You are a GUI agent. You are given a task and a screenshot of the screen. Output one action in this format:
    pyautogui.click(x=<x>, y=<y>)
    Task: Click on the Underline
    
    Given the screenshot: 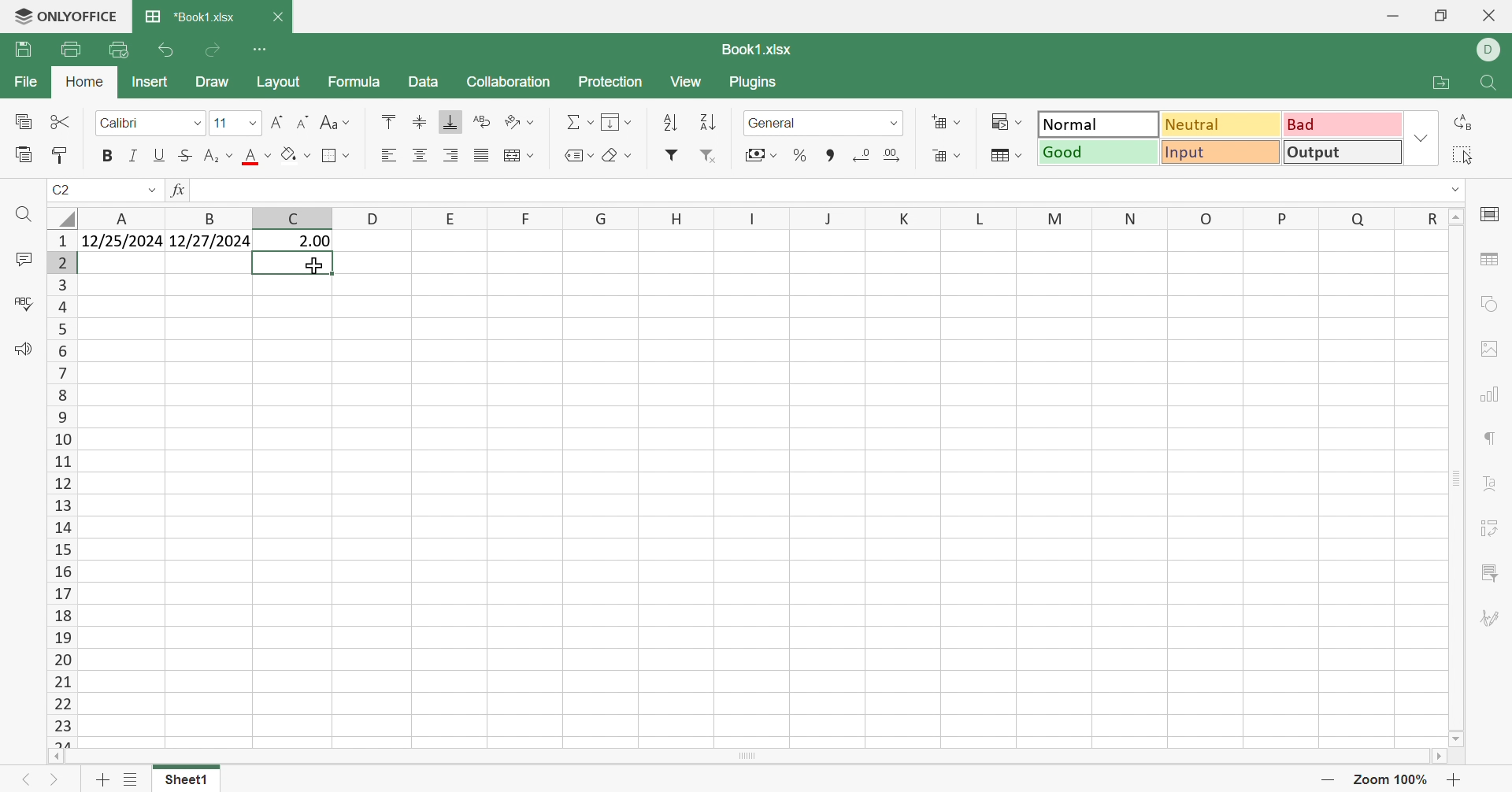 What is the action you would take?
    pyautogui.click(x=159, y=154)
    